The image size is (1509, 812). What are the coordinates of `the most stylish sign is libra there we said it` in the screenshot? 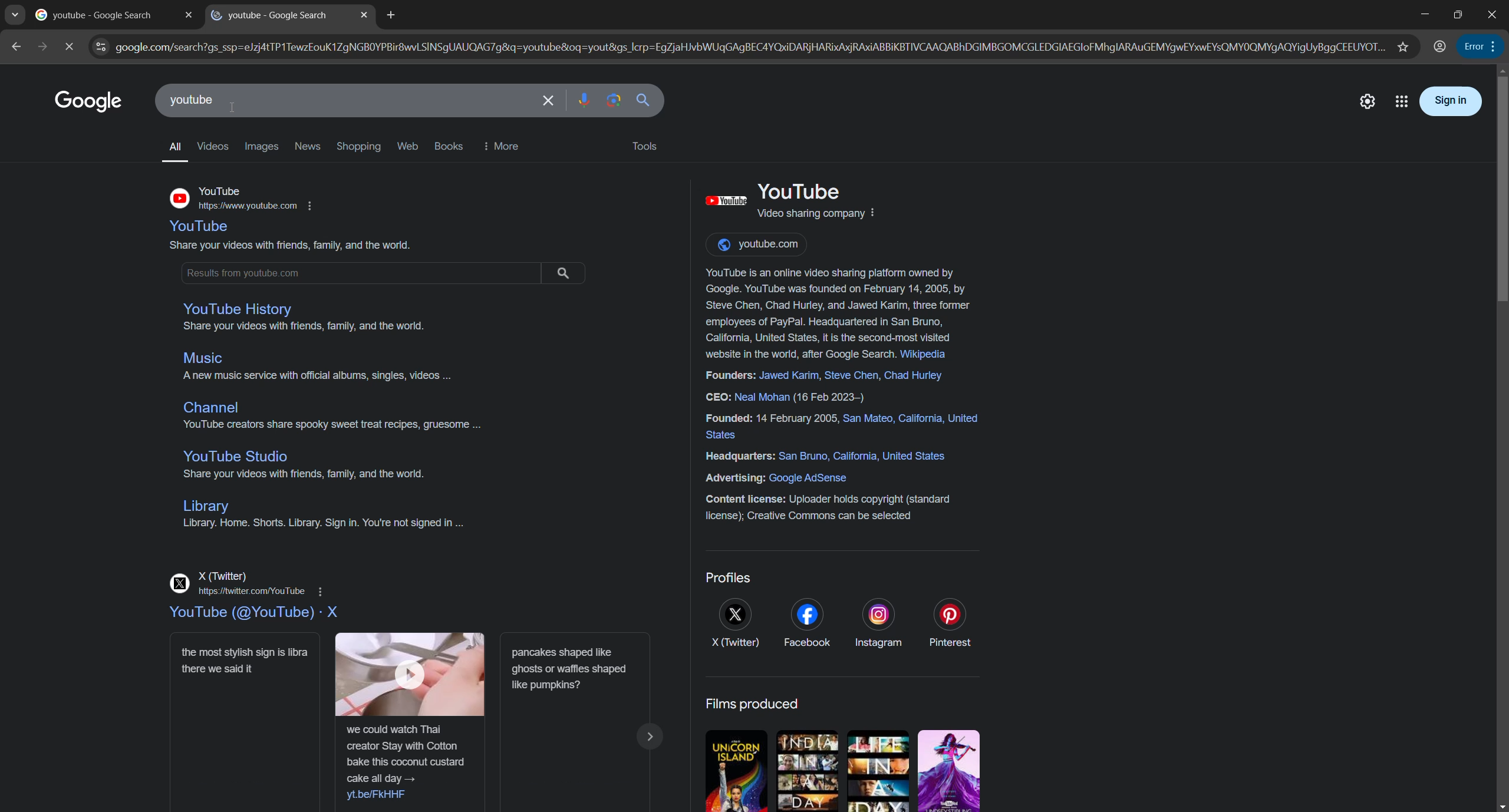 It's located at (246, 724).